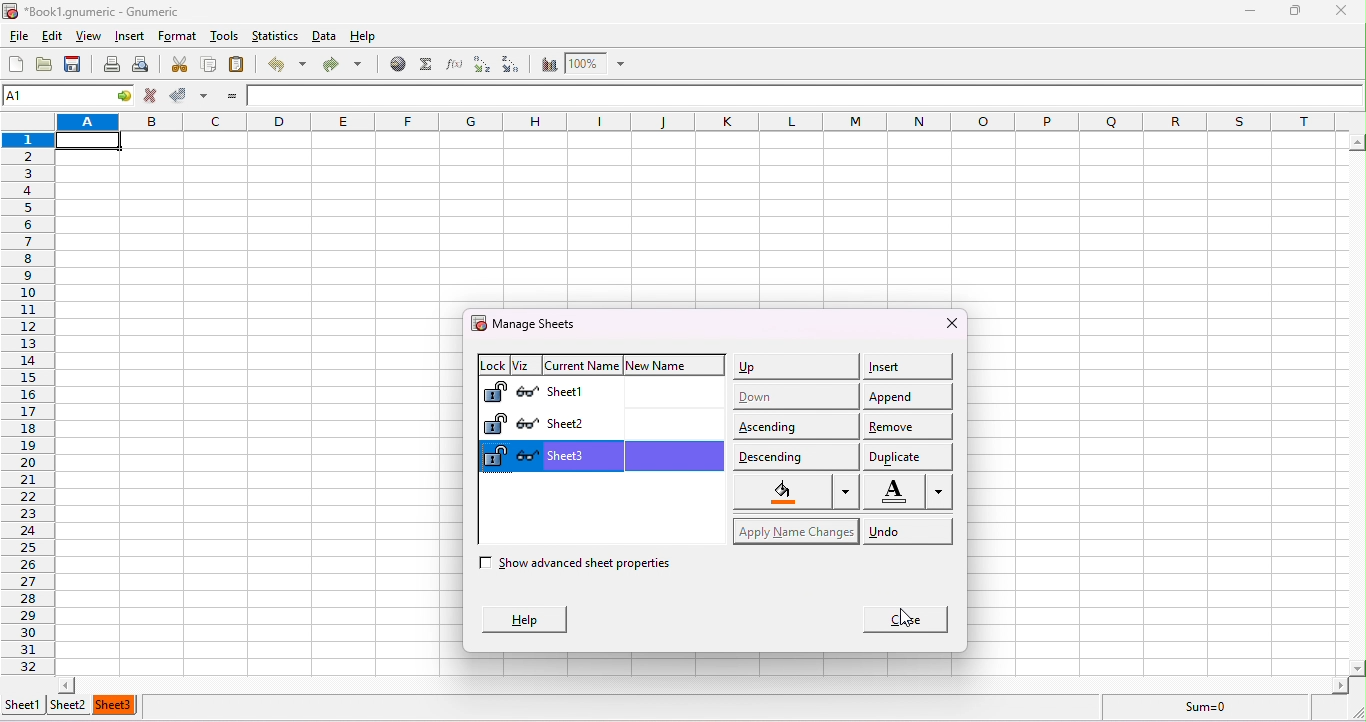  What do you see at coordinates (900, 619) in the screenshot?
I see `close` at bounding box center [900, 619].